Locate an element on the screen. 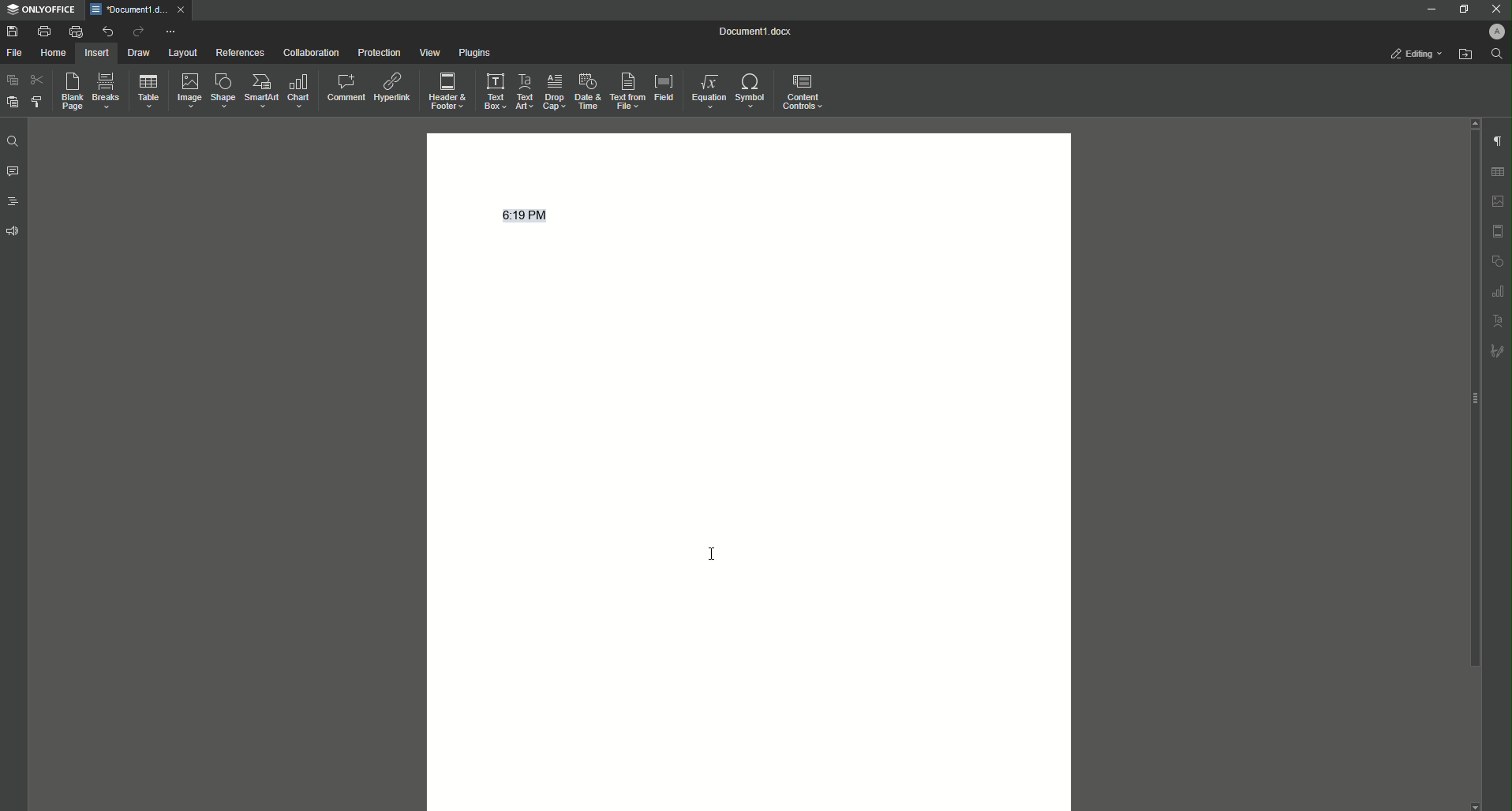 Image resolution: width=1512 pixels, height=811 pixels. Protection is located at coordinates (376, 51).